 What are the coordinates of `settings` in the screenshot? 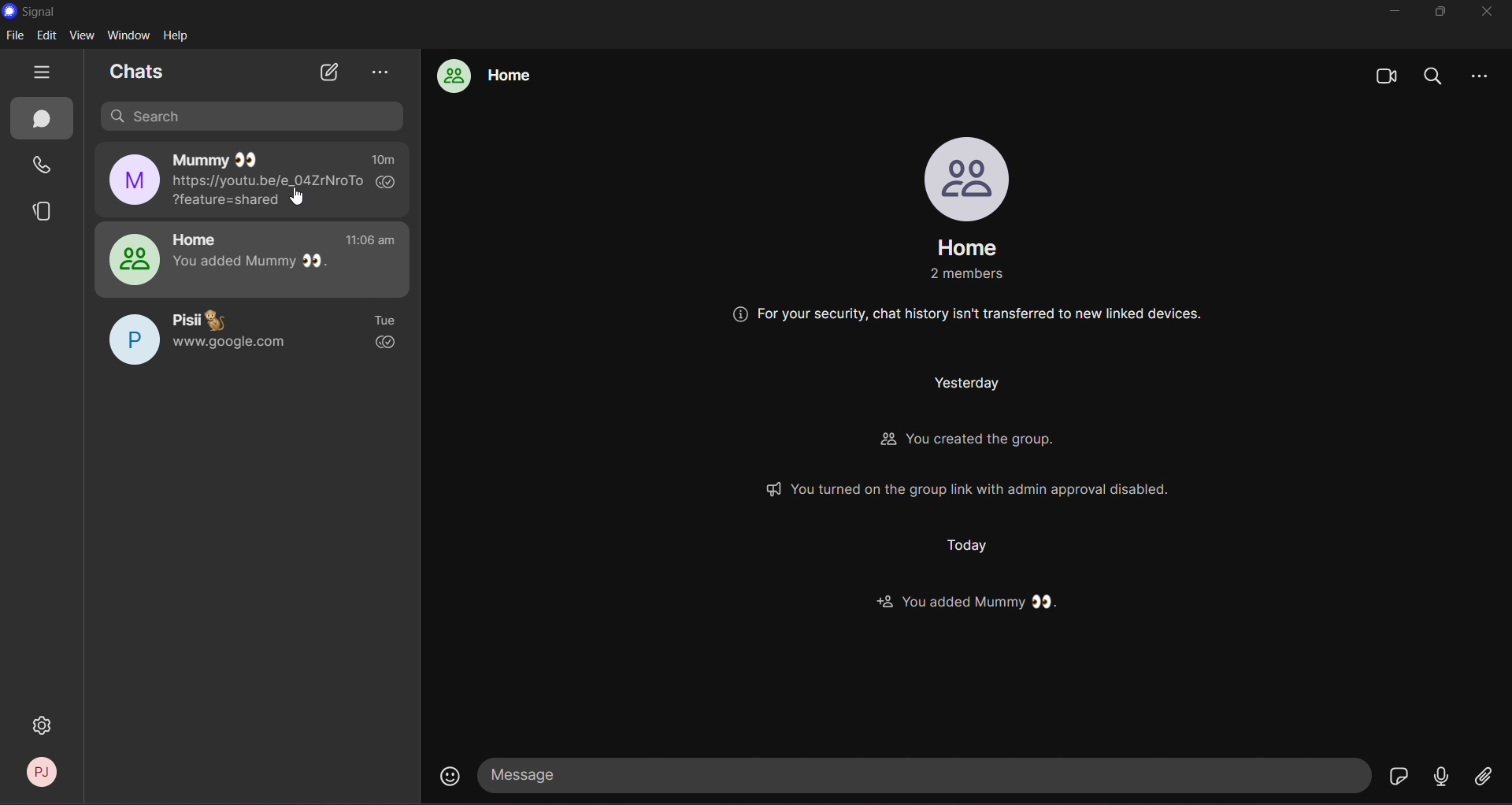 It's located at (44, 726).